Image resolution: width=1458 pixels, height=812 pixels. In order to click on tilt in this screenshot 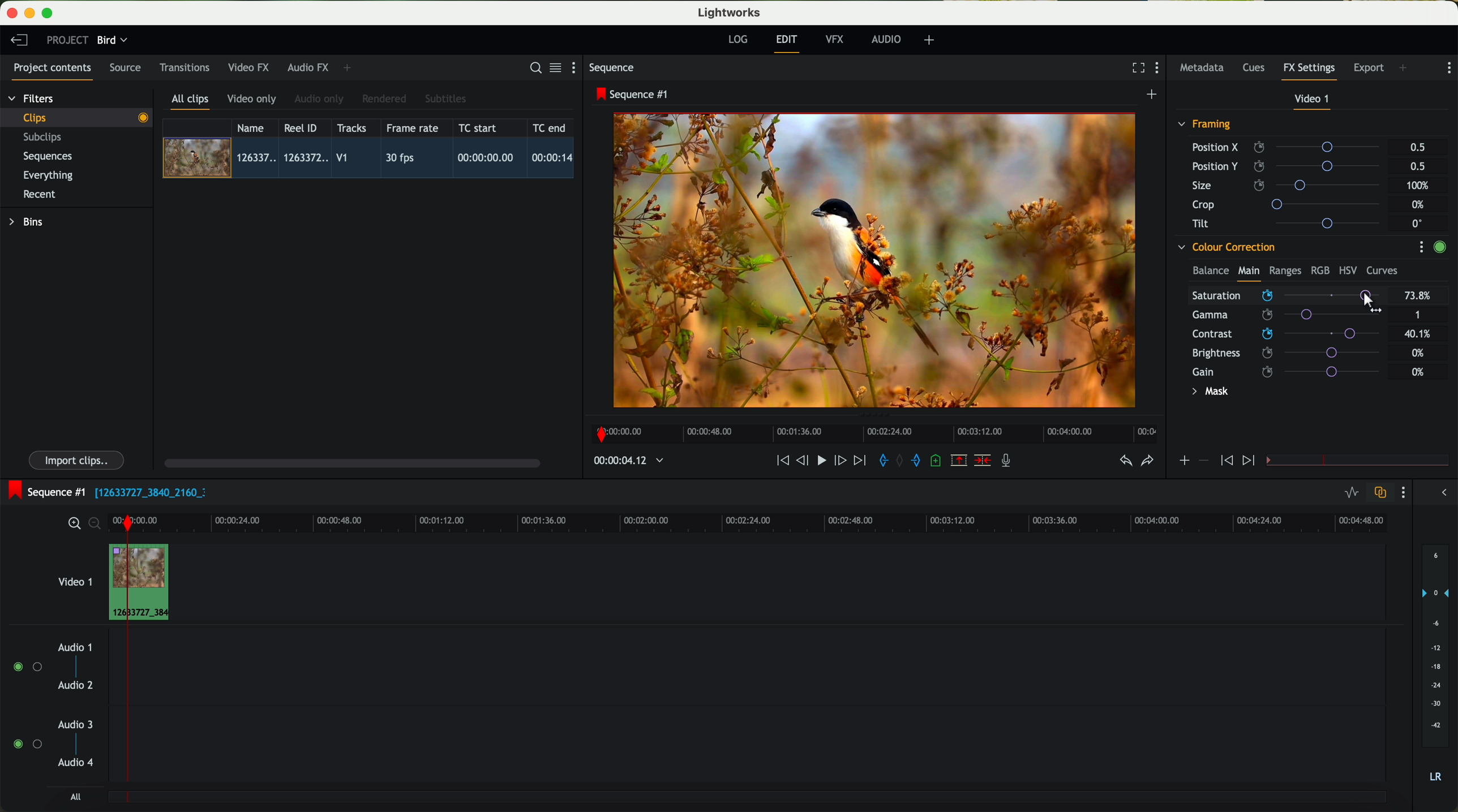, I will do `click(1291, 223)`.